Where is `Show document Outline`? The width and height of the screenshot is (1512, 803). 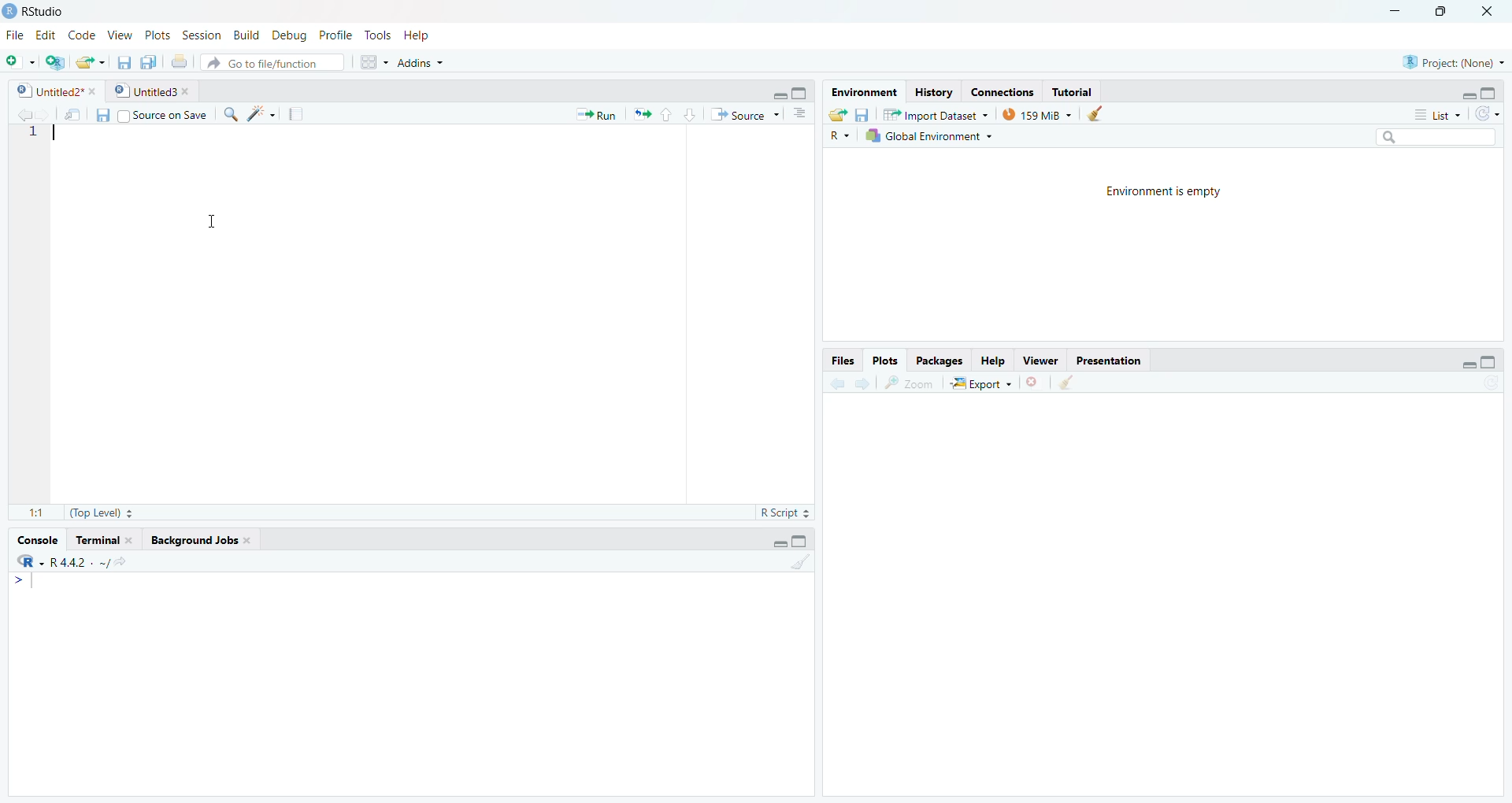
Show document Outline is located at coordinates (802, 113).